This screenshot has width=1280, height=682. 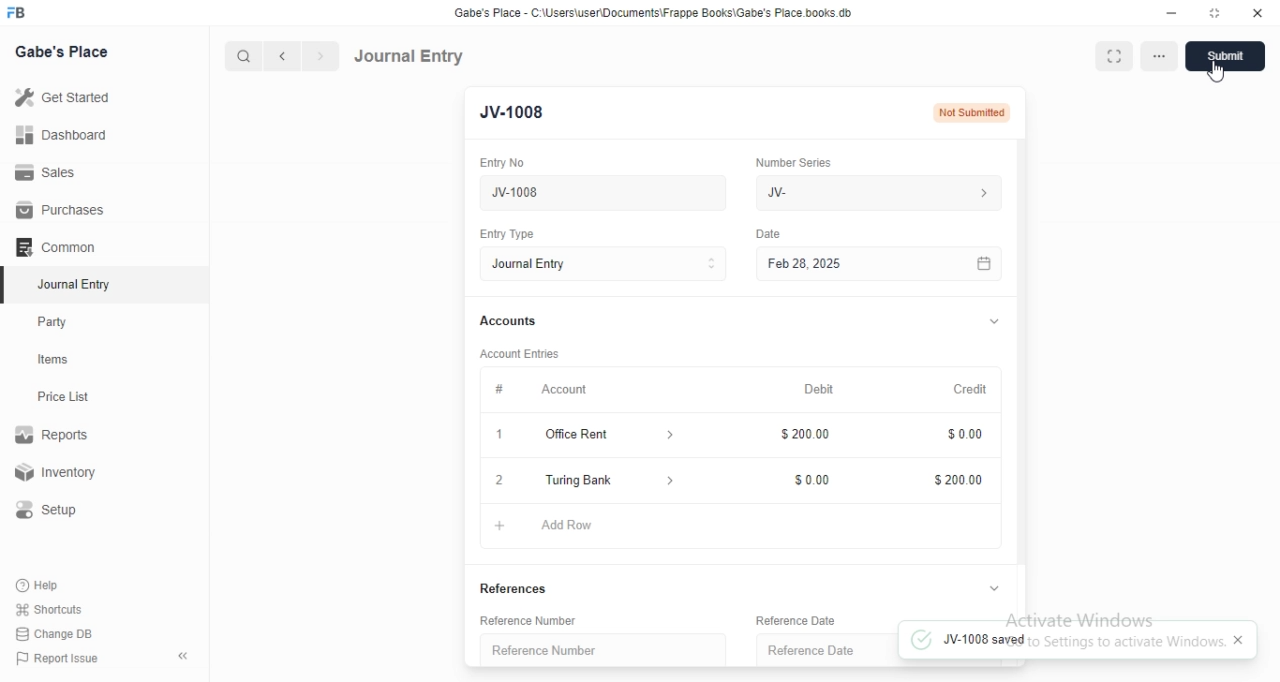 I want to click on + AddRow, so click(x=731, y=524).